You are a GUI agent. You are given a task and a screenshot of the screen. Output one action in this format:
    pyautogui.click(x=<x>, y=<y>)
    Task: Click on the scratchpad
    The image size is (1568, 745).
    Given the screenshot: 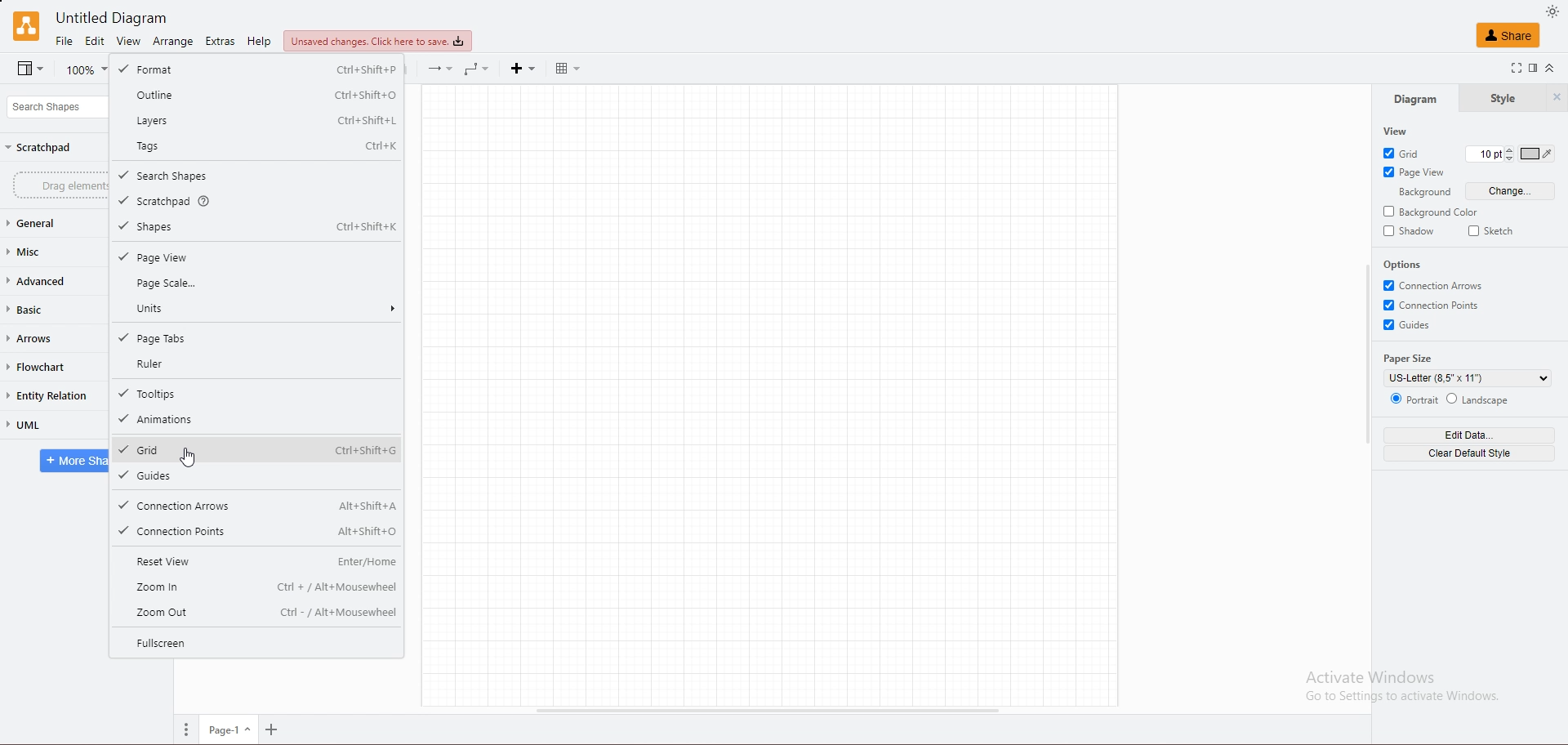 What is the action you would take?
    pyautogui.click(x=258, y=201)
    